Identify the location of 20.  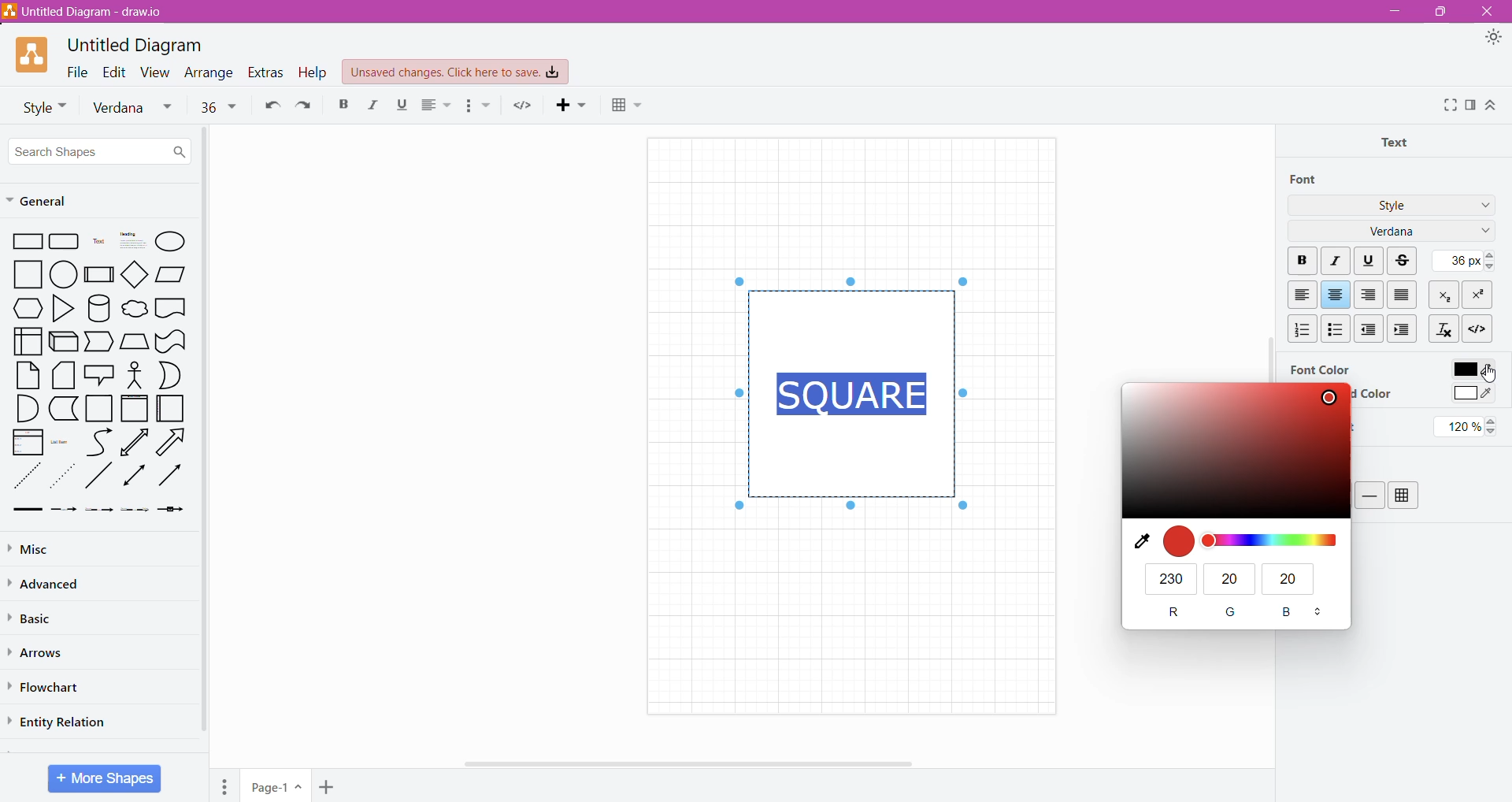
(1291, 581).